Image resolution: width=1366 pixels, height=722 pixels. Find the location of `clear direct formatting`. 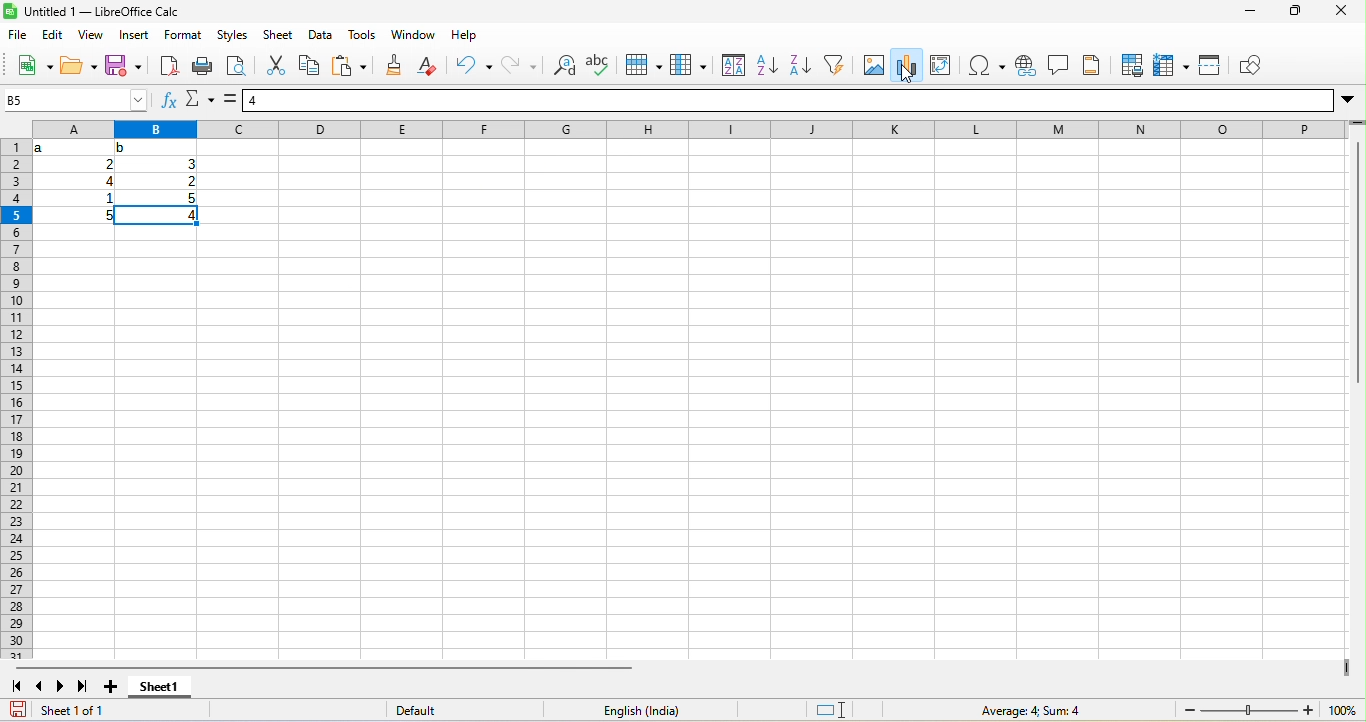

clear direct formatting is located at coordinates (427, 64).